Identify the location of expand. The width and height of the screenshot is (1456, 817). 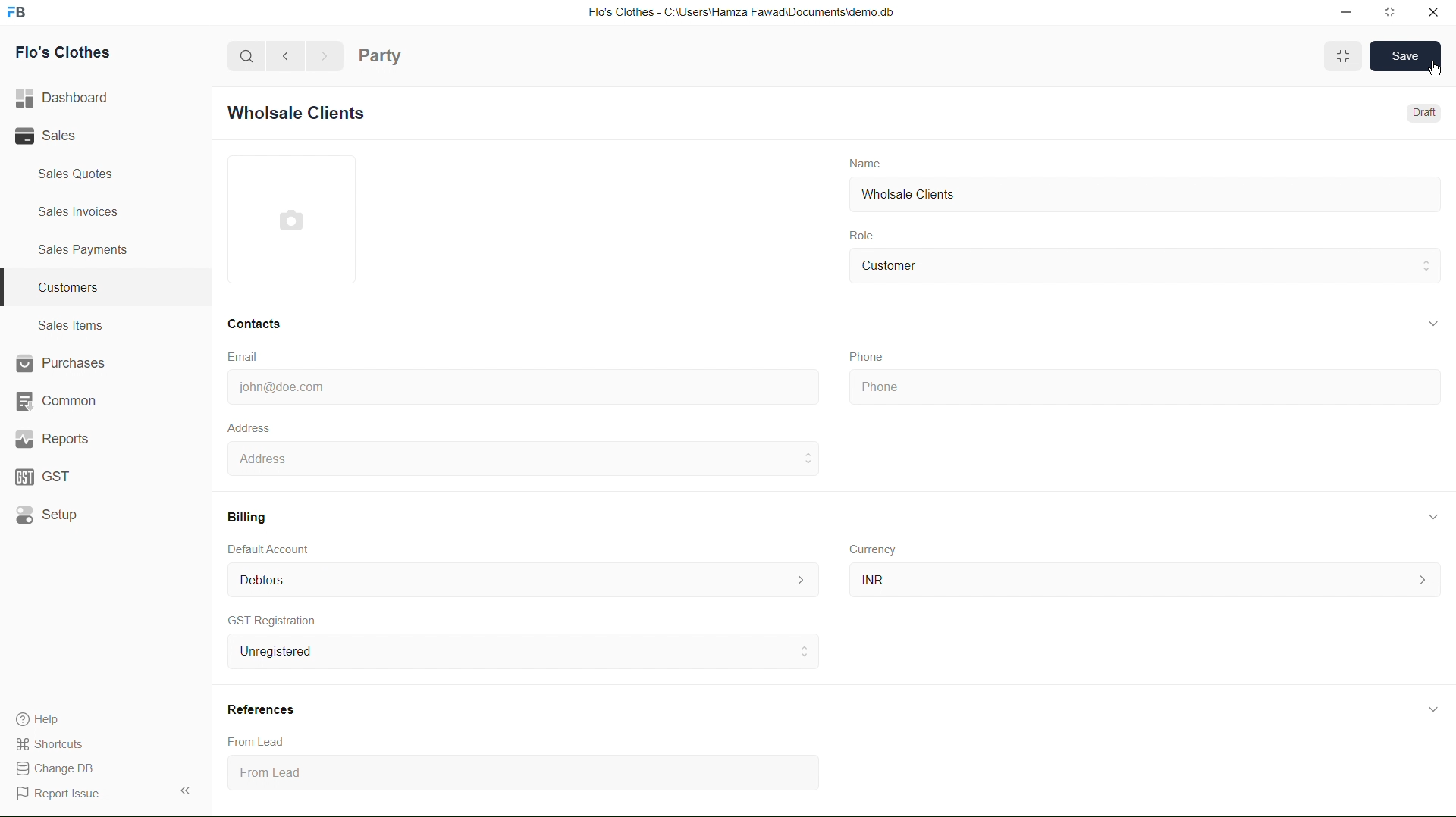
(1429, 516).